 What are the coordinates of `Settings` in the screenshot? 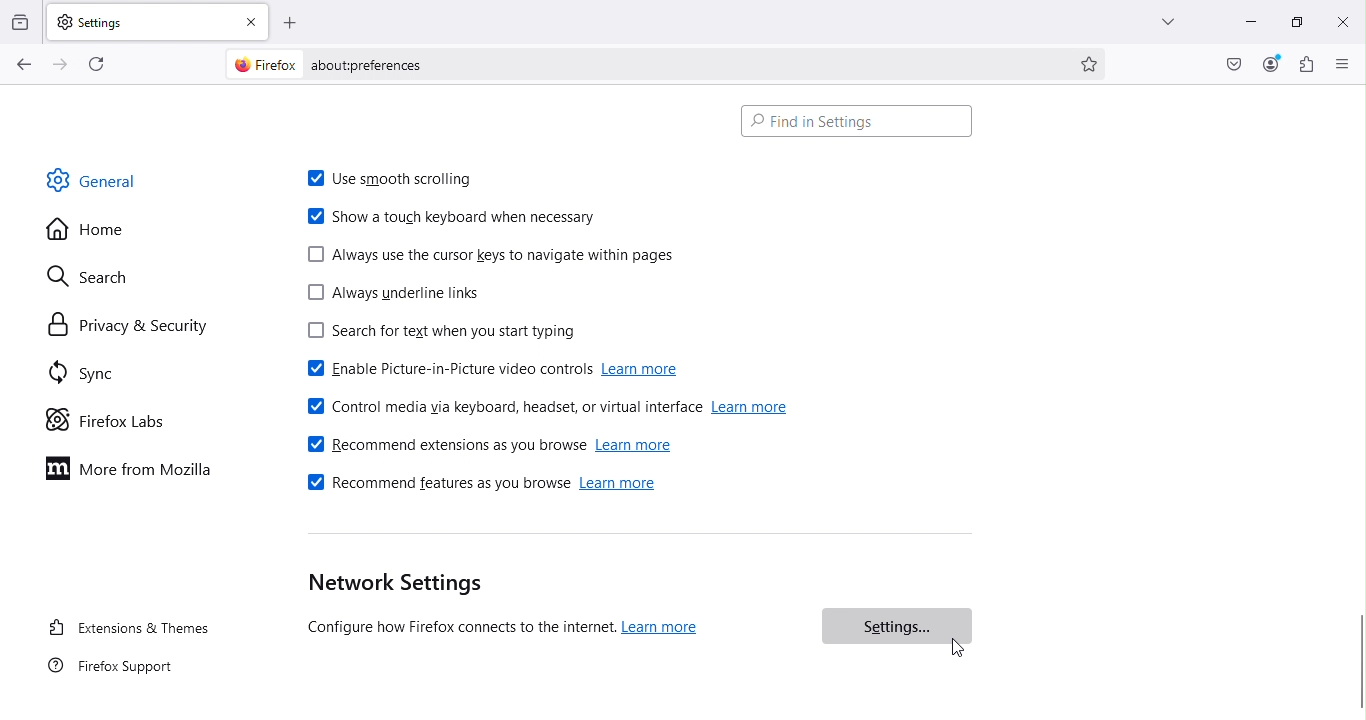 It's located at (894, 626).